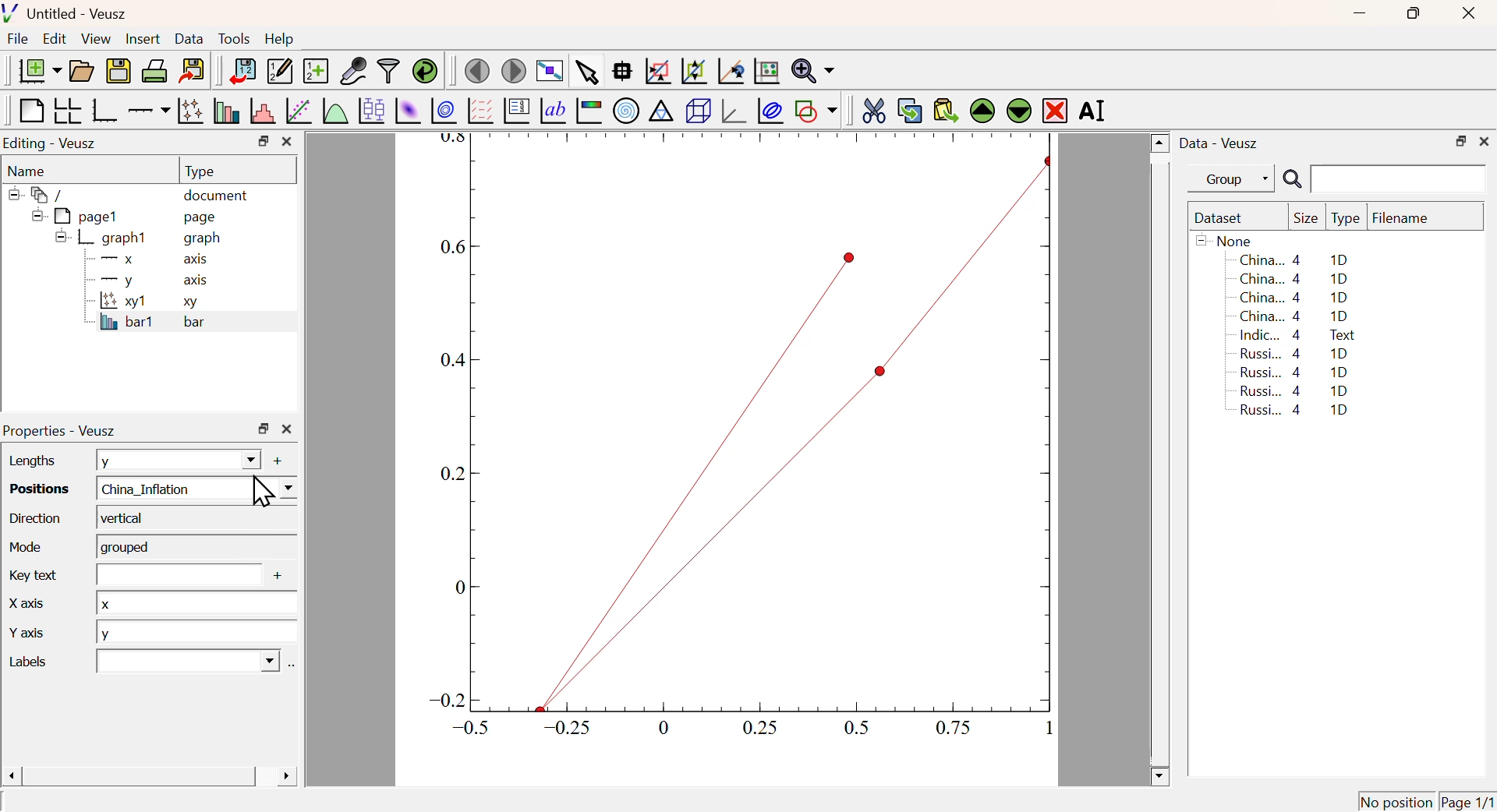  I want to click on Reload linked dataset, so click(425, 69).